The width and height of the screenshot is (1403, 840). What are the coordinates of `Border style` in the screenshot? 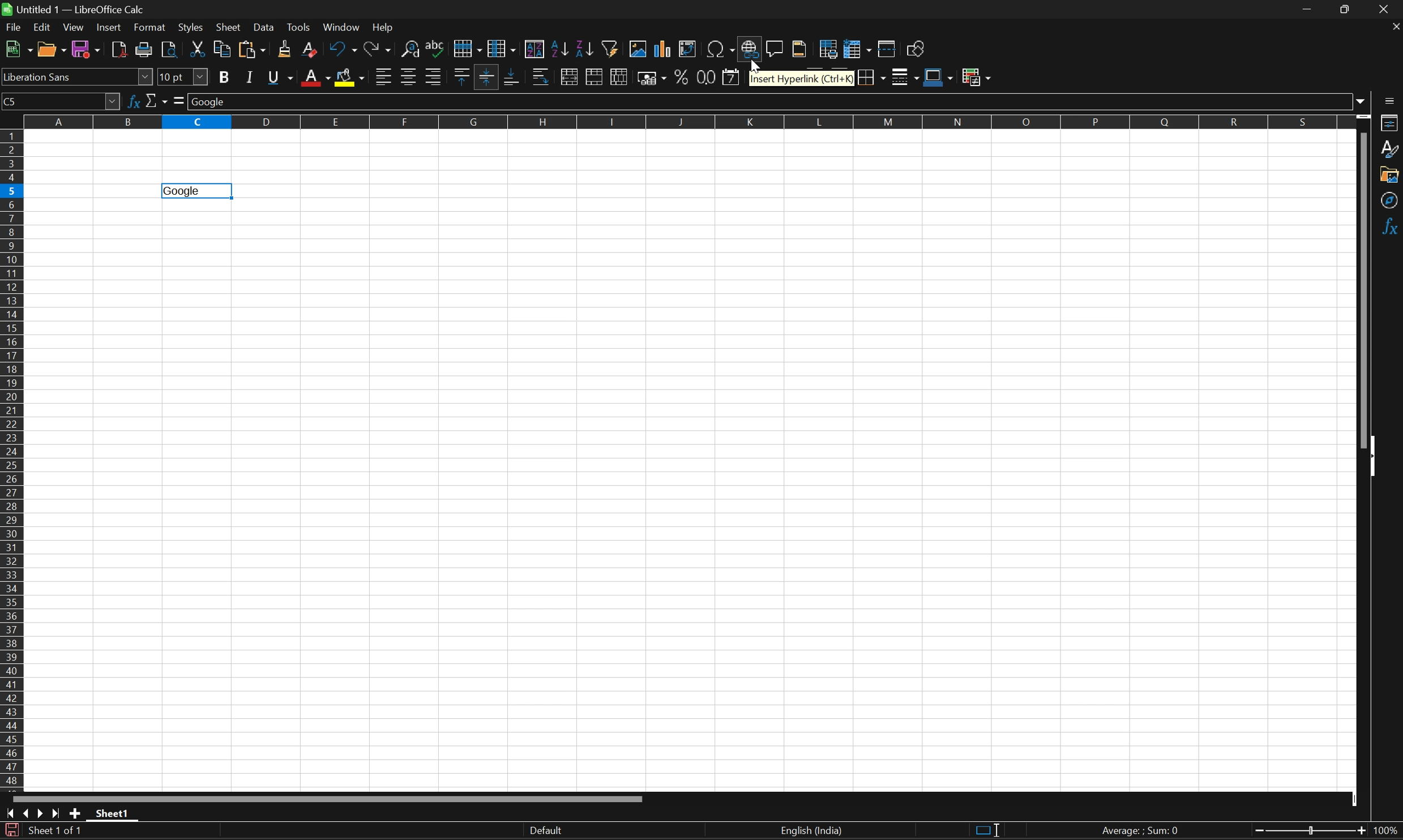 It's located at (906, 76).